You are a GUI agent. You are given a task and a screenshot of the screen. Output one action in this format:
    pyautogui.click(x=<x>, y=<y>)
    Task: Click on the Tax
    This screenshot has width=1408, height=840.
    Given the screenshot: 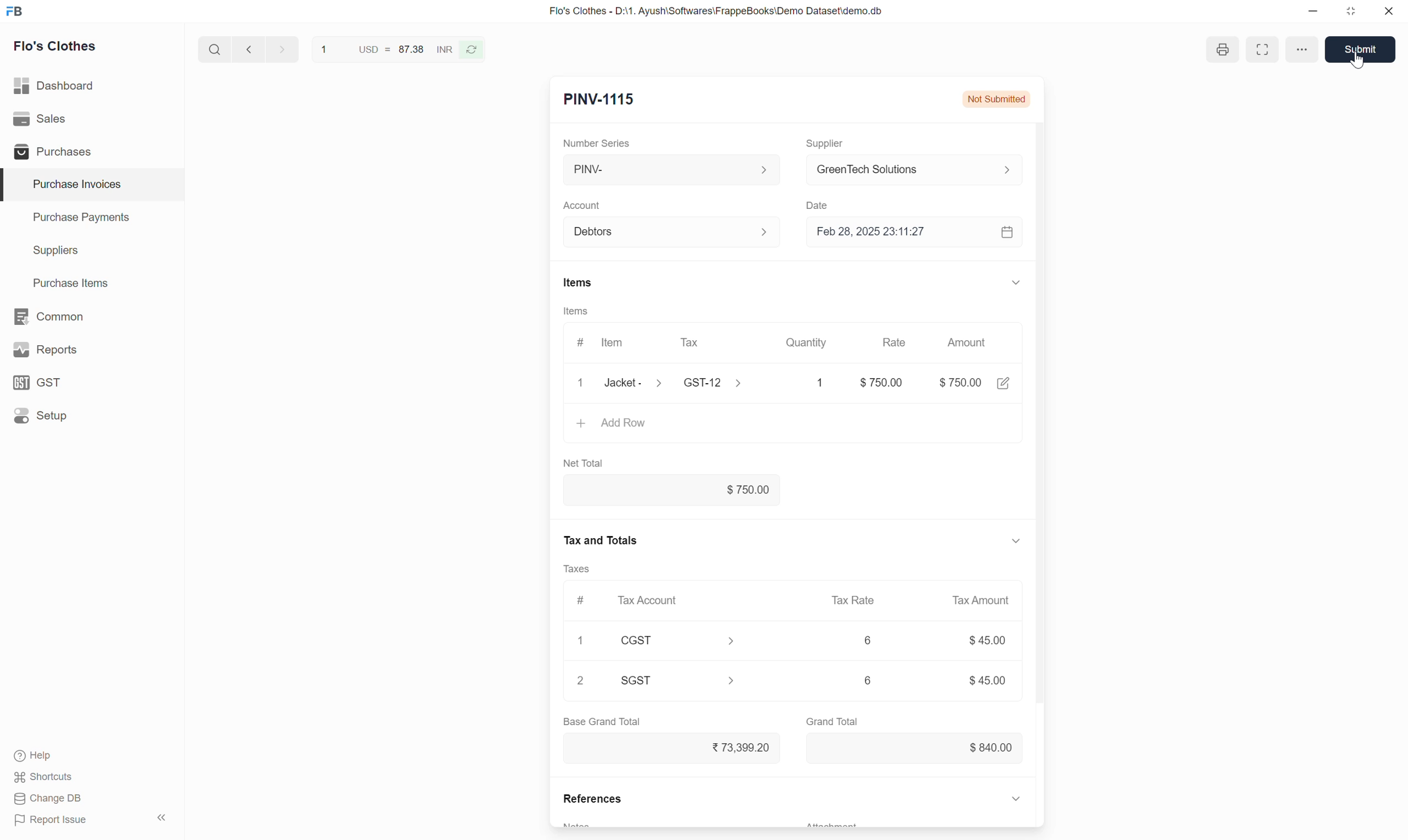 What is the action you would take?
    pyautogui.click(x=712, y=343)
    